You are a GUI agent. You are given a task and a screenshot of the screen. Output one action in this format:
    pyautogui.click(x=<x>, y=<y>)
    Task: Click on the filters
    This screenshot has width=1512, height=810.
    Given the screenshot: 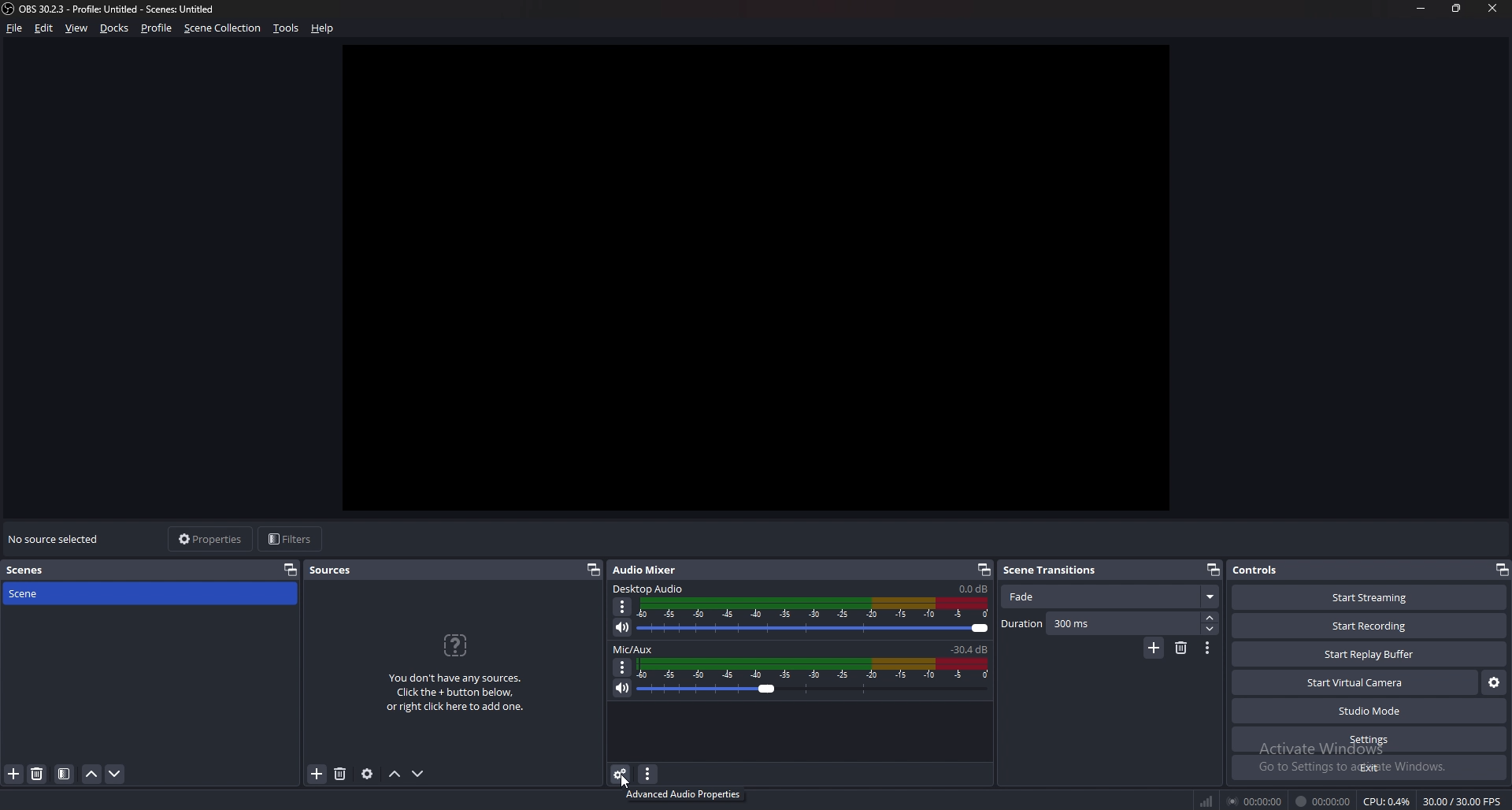 What is the action you would take?
    pyautogui.click(x=292, y=540)
    